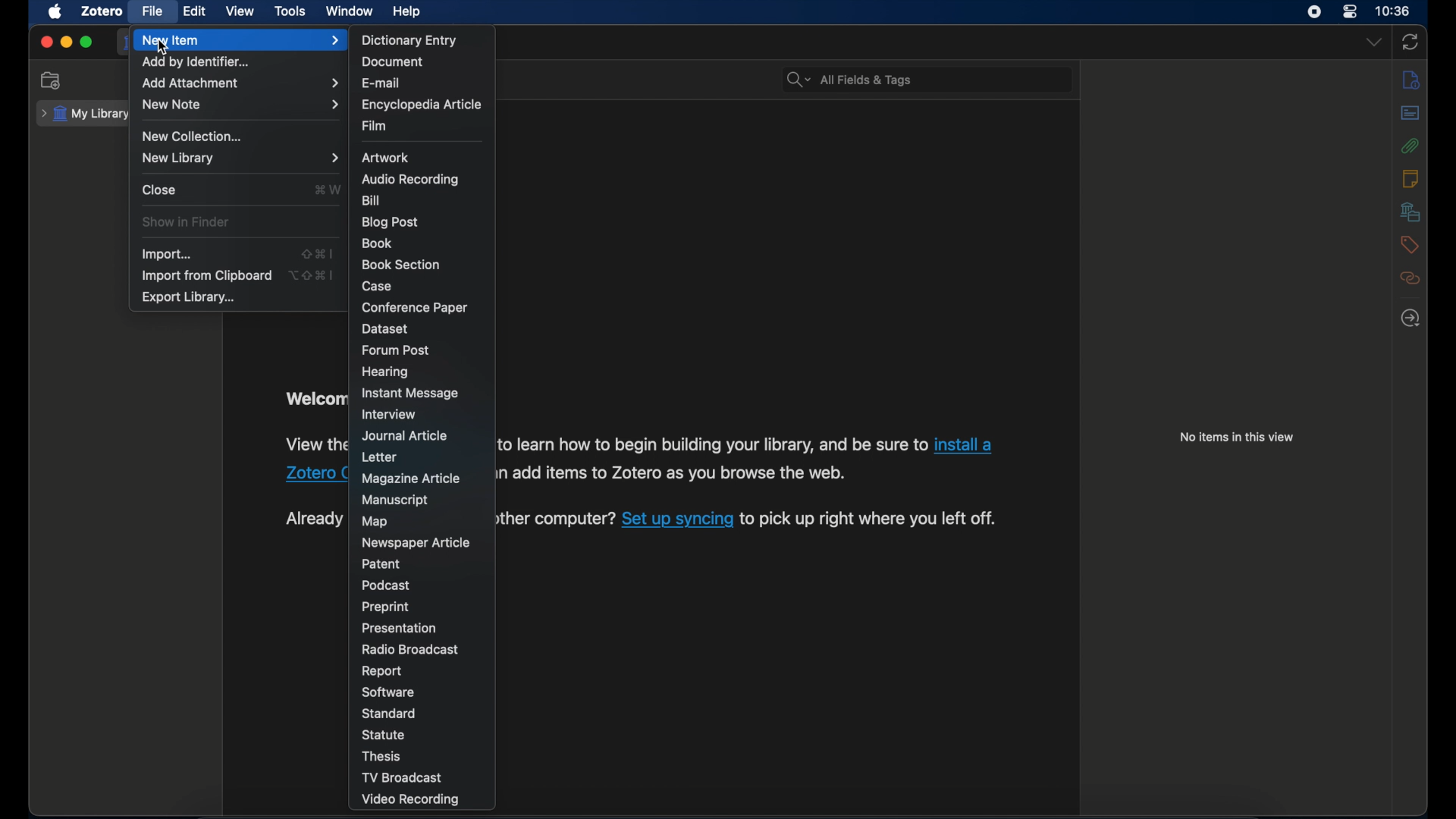 The width and height of the screenshot is (1456, 819). I want to click on show in finder, so click(187, 221).